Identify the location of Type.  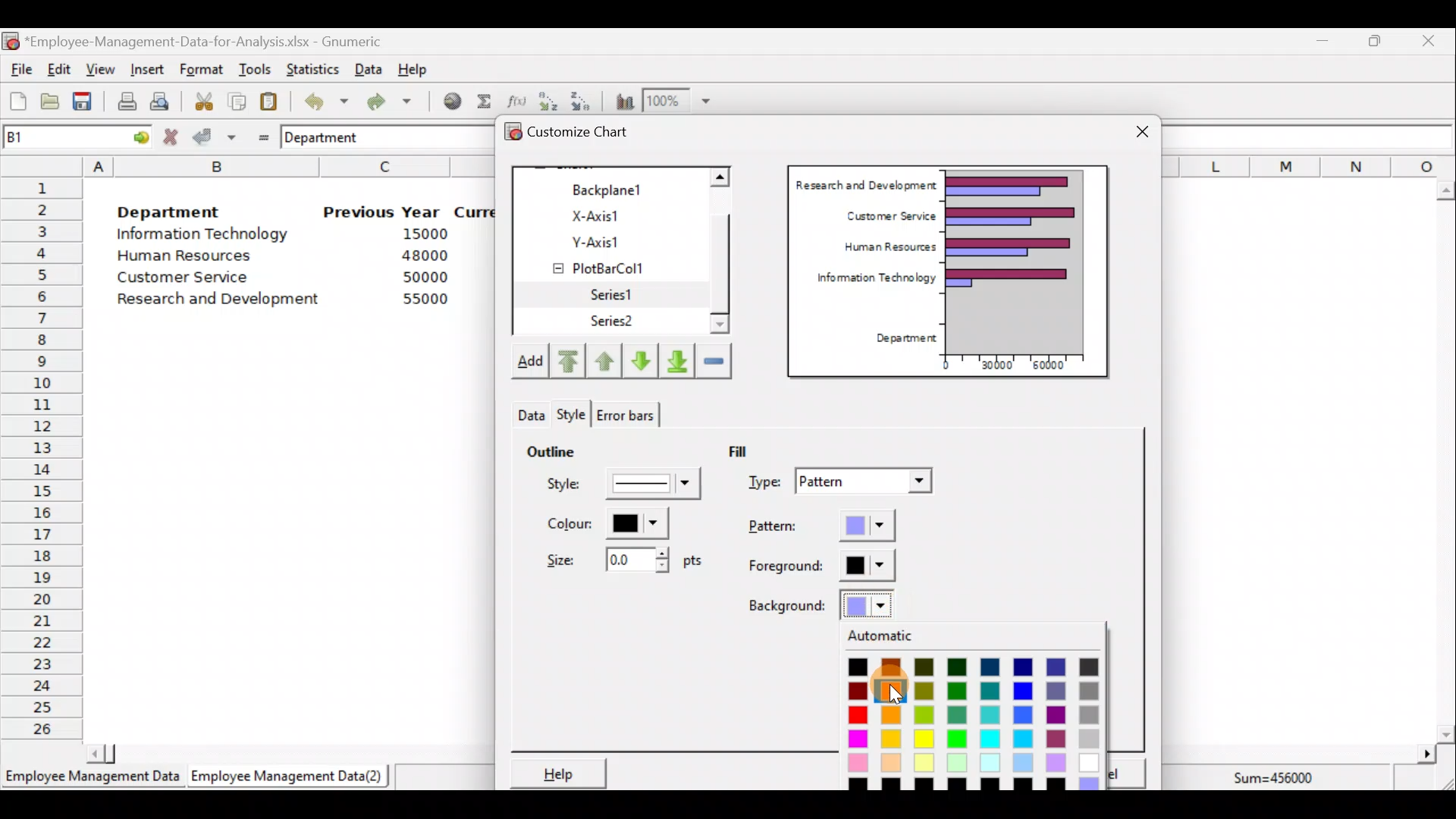
(843, 483).